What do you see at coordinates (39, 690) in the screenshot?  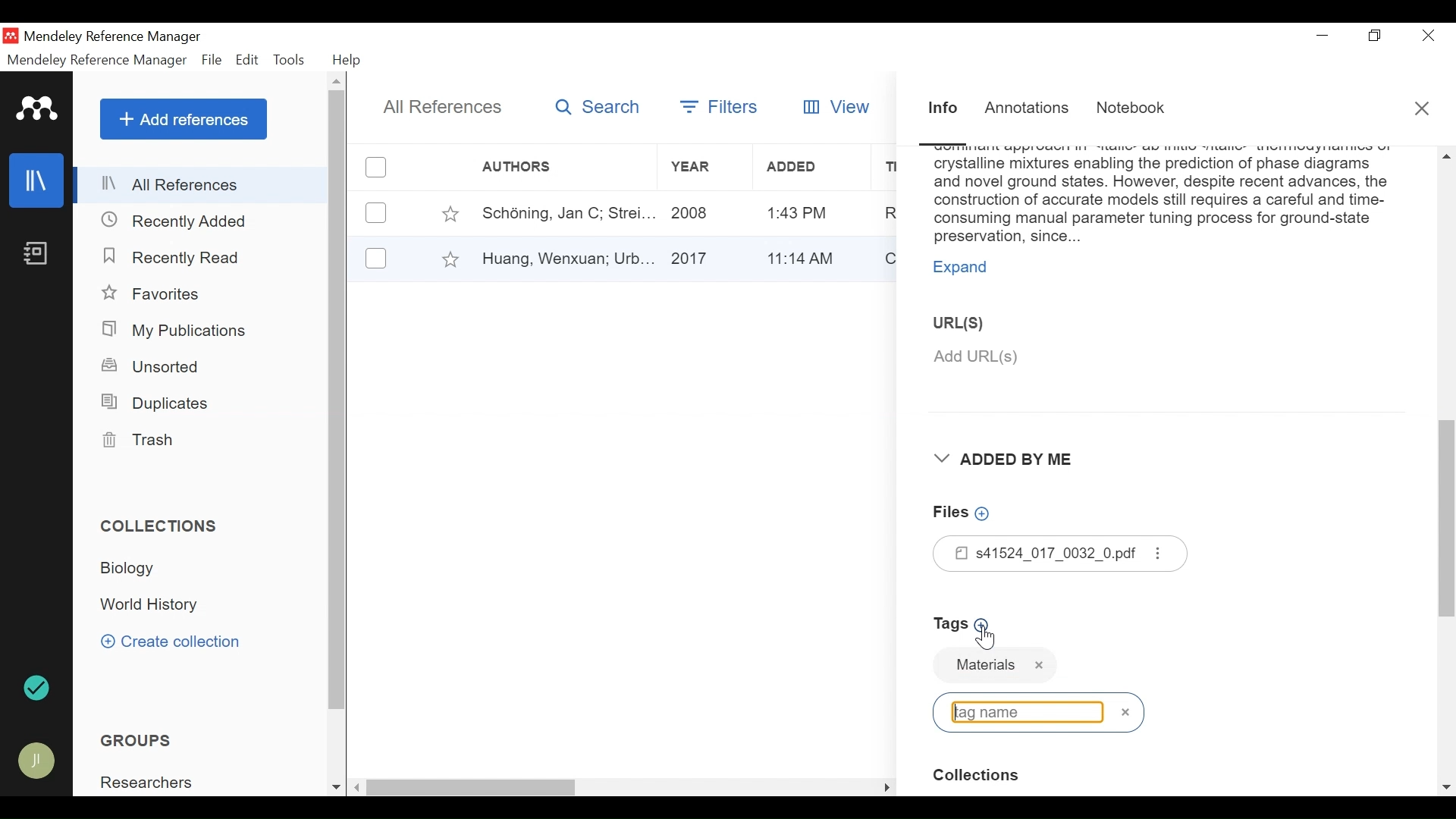 I see `Sync` at bounding box center [39, 690].